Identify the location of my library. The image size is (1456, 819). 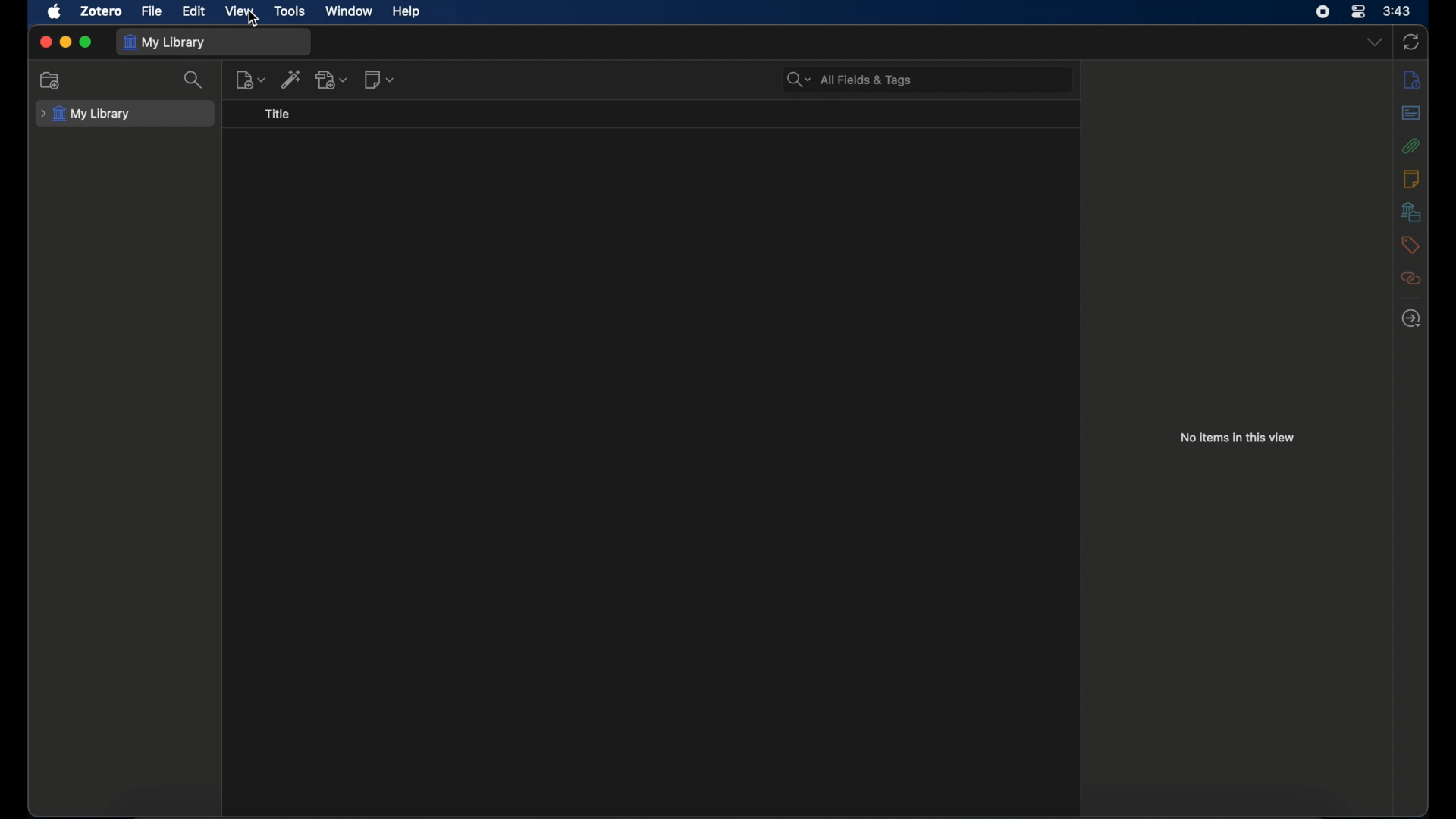
(85, 114).